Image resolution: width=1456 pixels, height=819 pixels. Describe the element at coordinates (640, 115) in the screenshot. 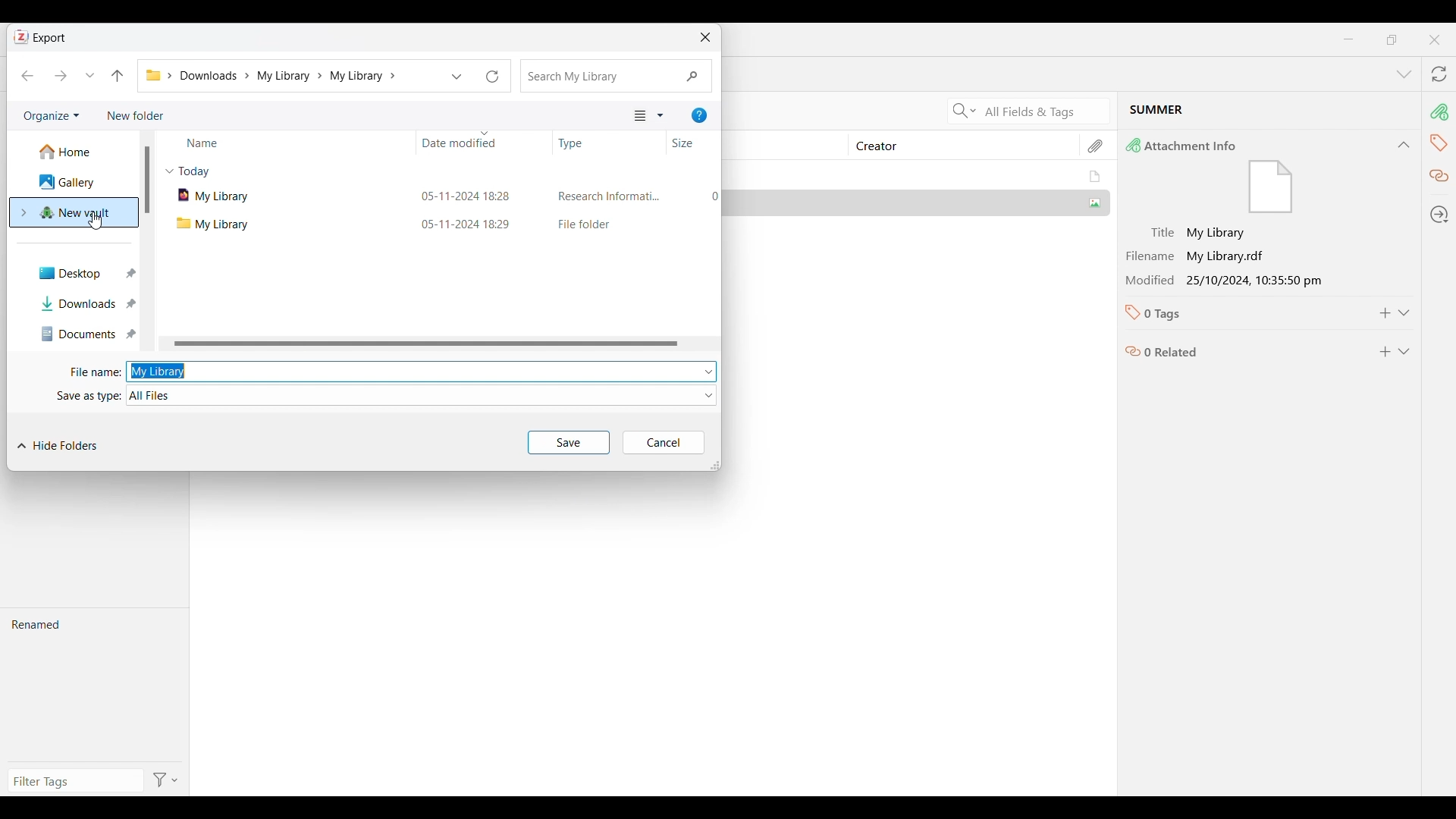

I see `Selected view ` at that location.